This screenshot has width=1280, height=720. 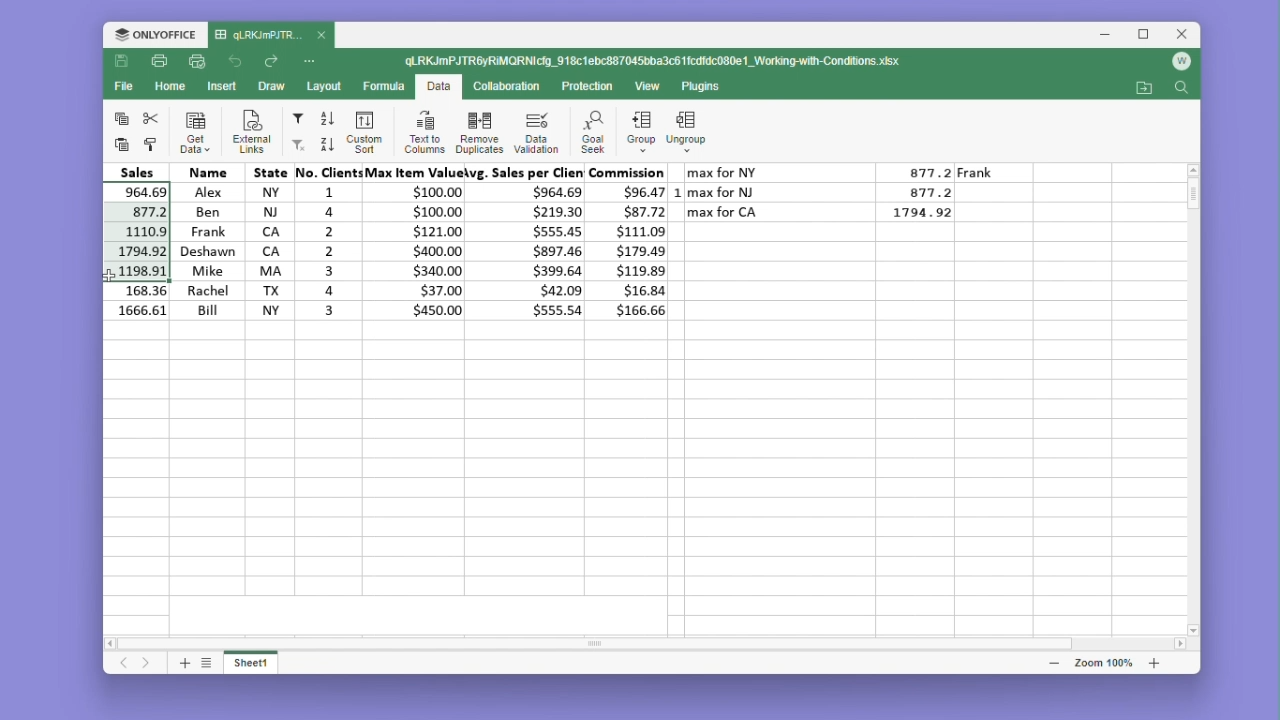 What do you see at coordinates (297, 119) in the screenshot?
I see `Filter` at bounding box center [297, 119].